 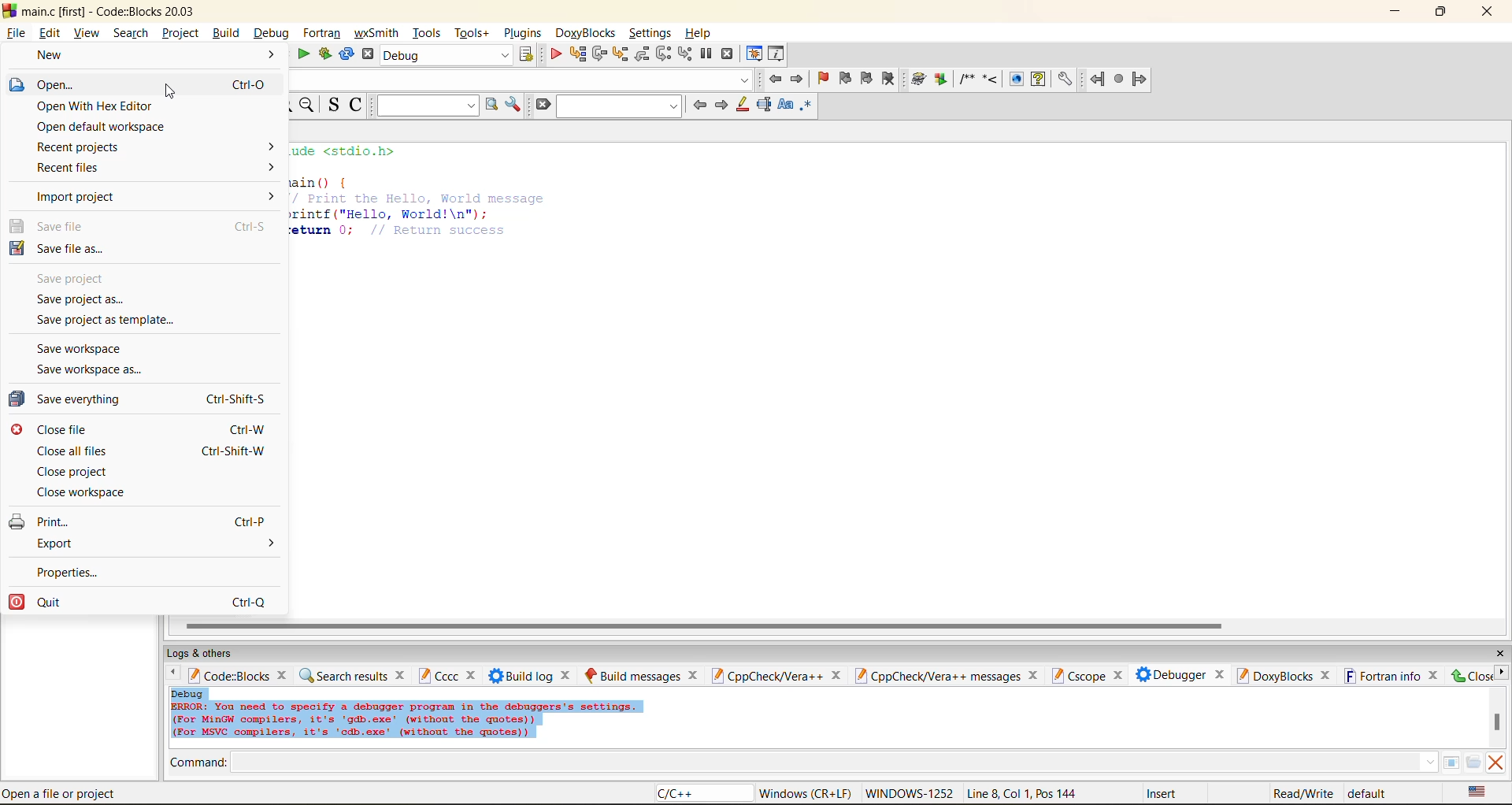 What do you see at coordinates (1140, 79) in the screenshot?
I see `forward` at bounding box center [1140, 79].